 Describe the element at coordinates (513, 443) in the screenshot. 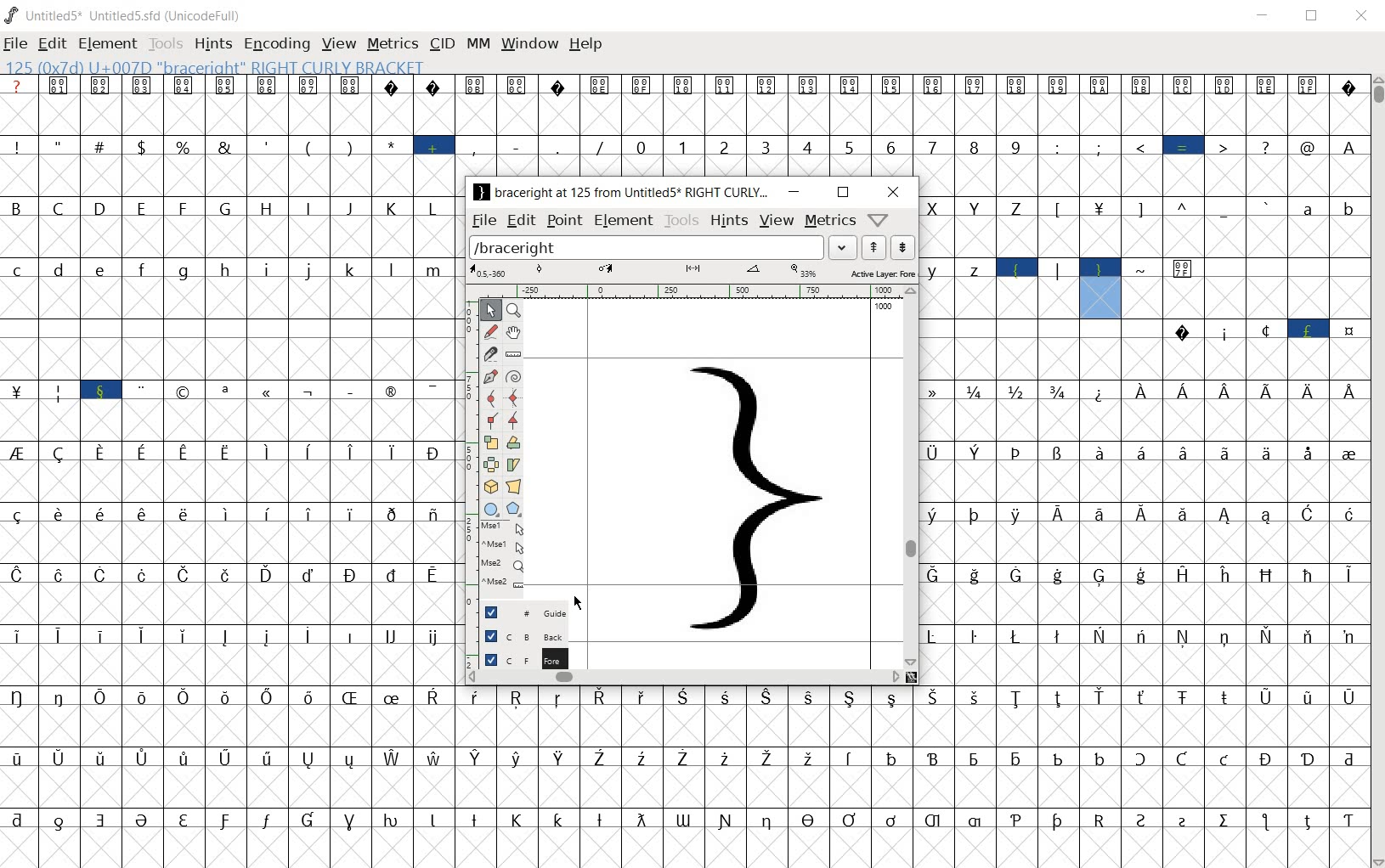

I see `flip the selection` at that location.